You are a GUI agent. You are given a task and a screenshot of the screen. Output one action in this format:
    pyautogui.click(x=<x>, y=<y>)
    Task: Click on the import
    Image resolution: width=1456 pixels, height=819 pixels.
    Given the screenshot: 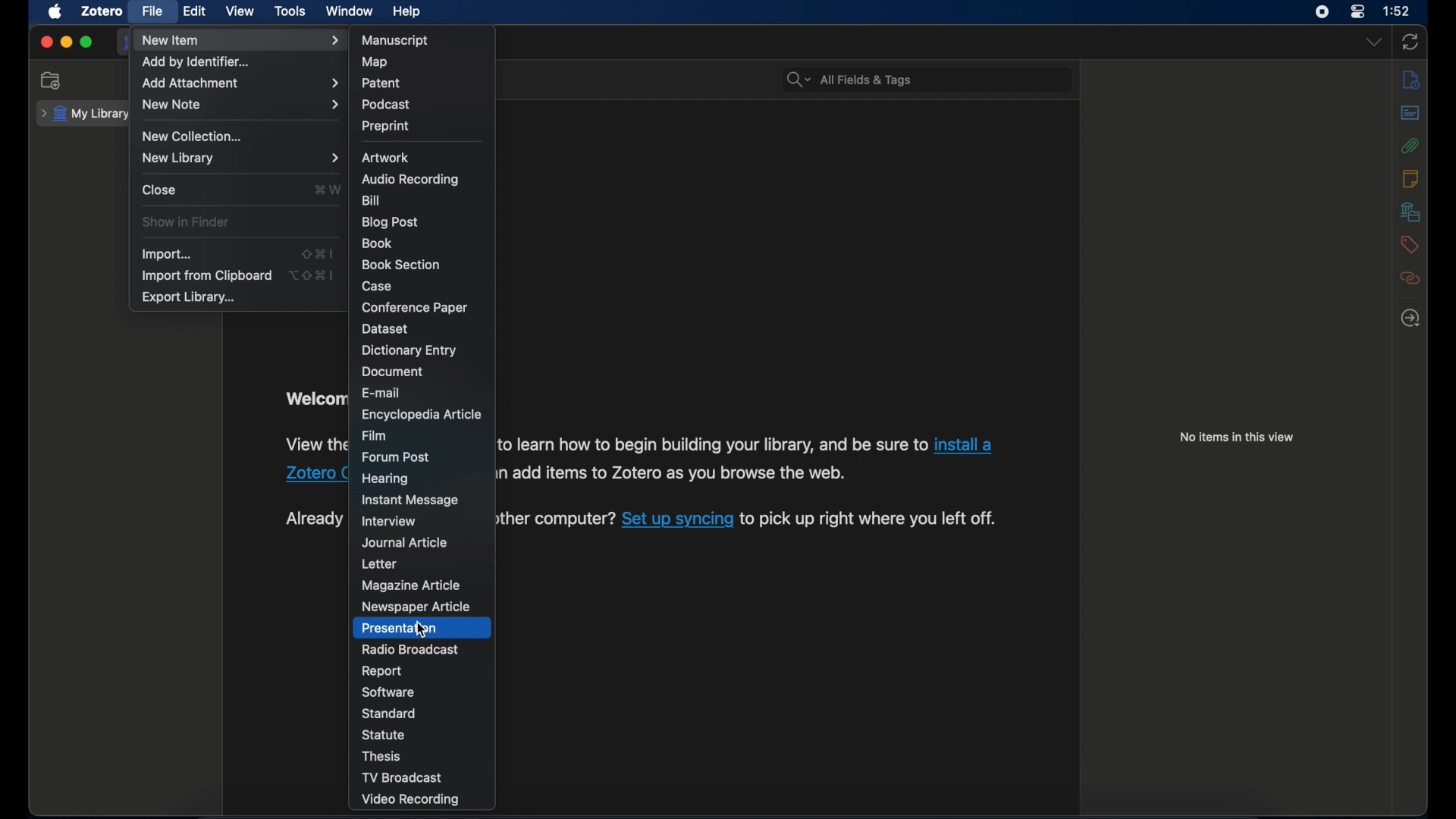 What is the action you would take?
    pyautogui.click(x=165, y=254)
    